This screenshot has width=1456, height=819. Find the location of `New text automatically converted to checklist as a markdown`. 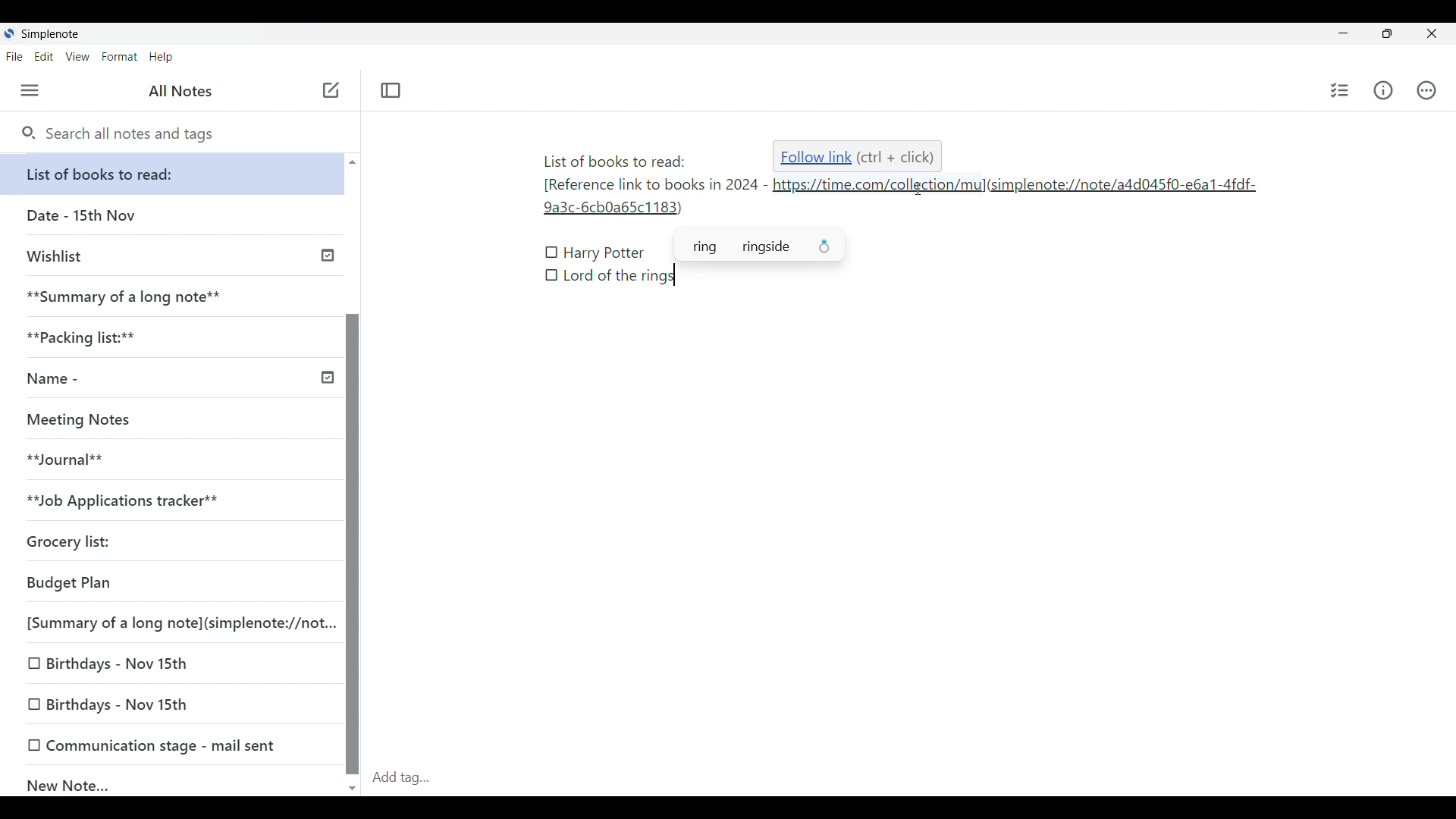

New text automatically converted to checklist as a markdown is located at coordinates (552, 253).